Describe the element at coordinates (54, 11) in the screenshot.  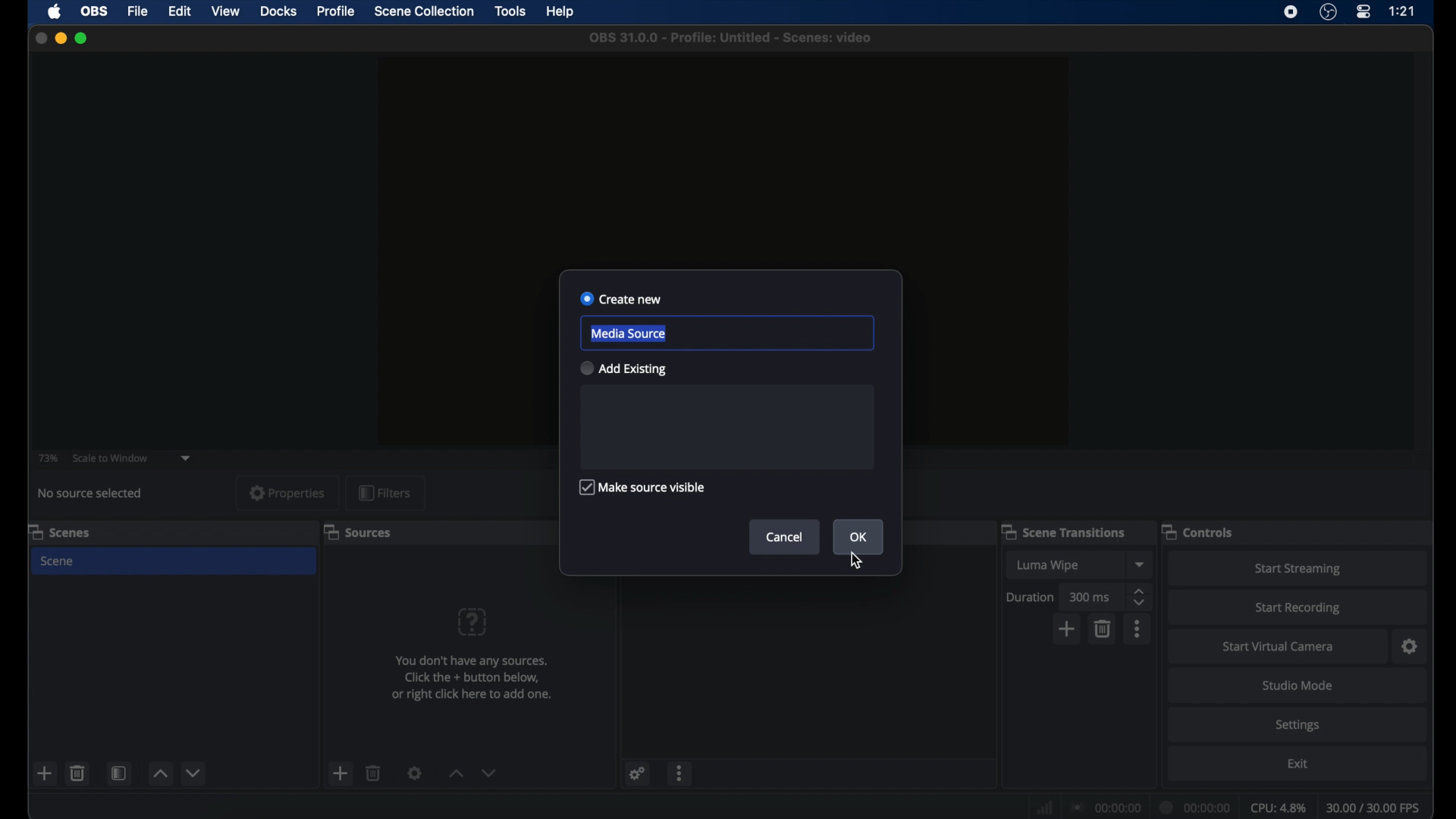
I see `apple icon` at that location.